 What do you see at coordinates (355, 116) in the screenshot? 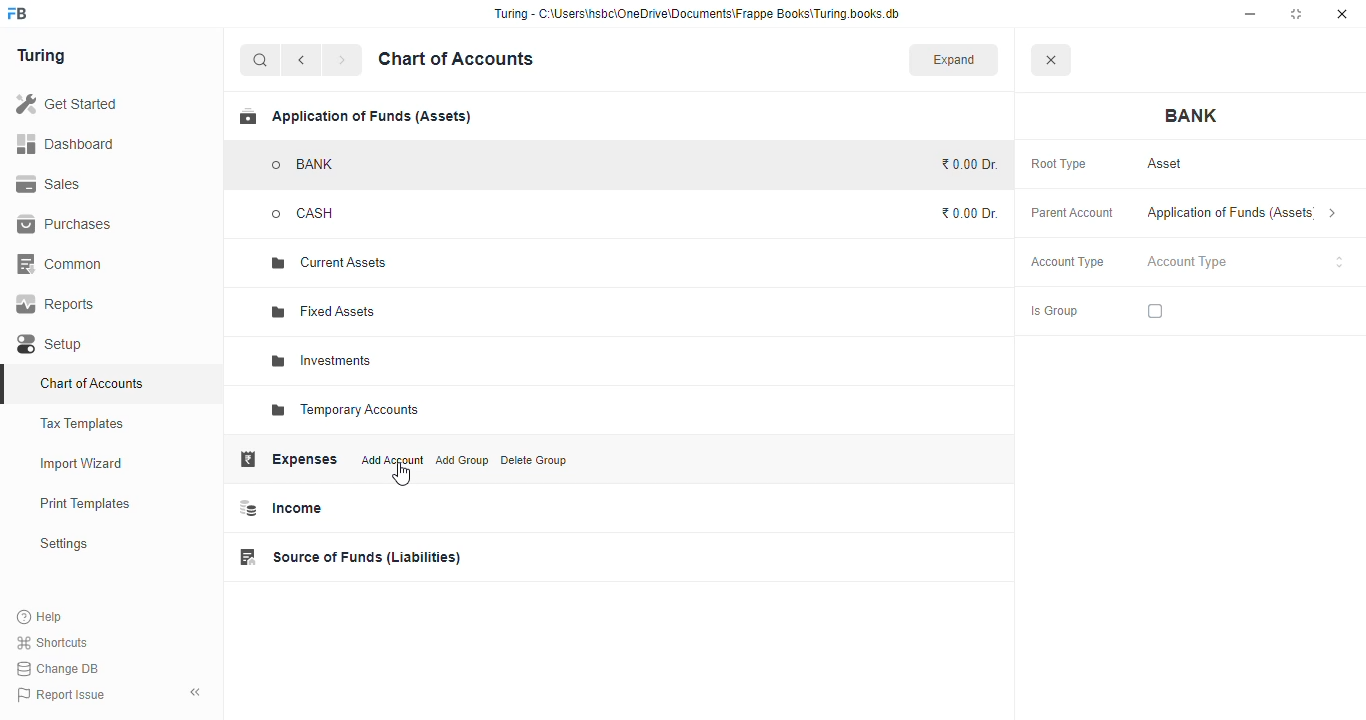
I see `application of funds (assets)` at bounding box center [355, 116].